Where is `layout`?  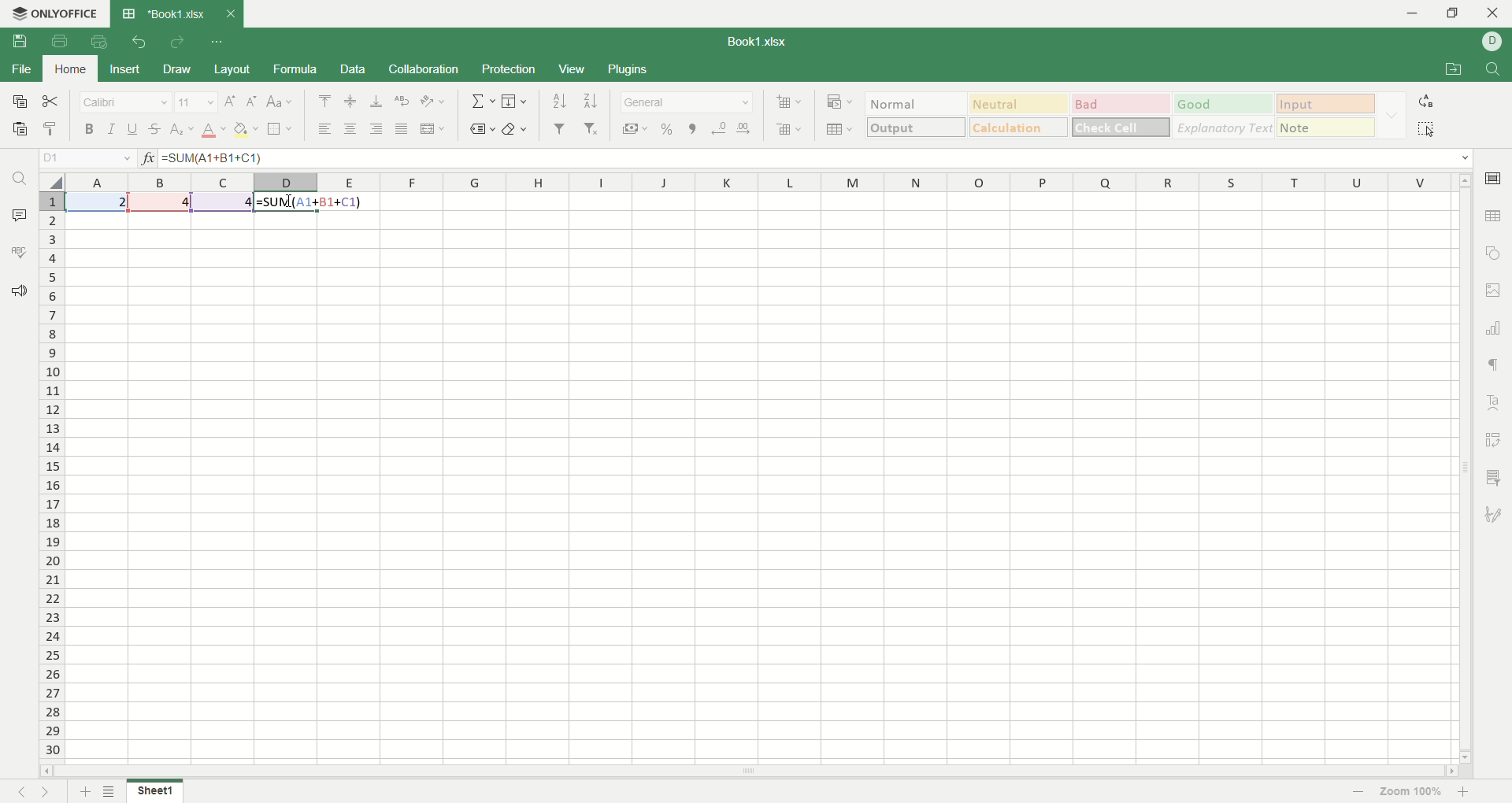 layout is located at coordinates (233, 68).